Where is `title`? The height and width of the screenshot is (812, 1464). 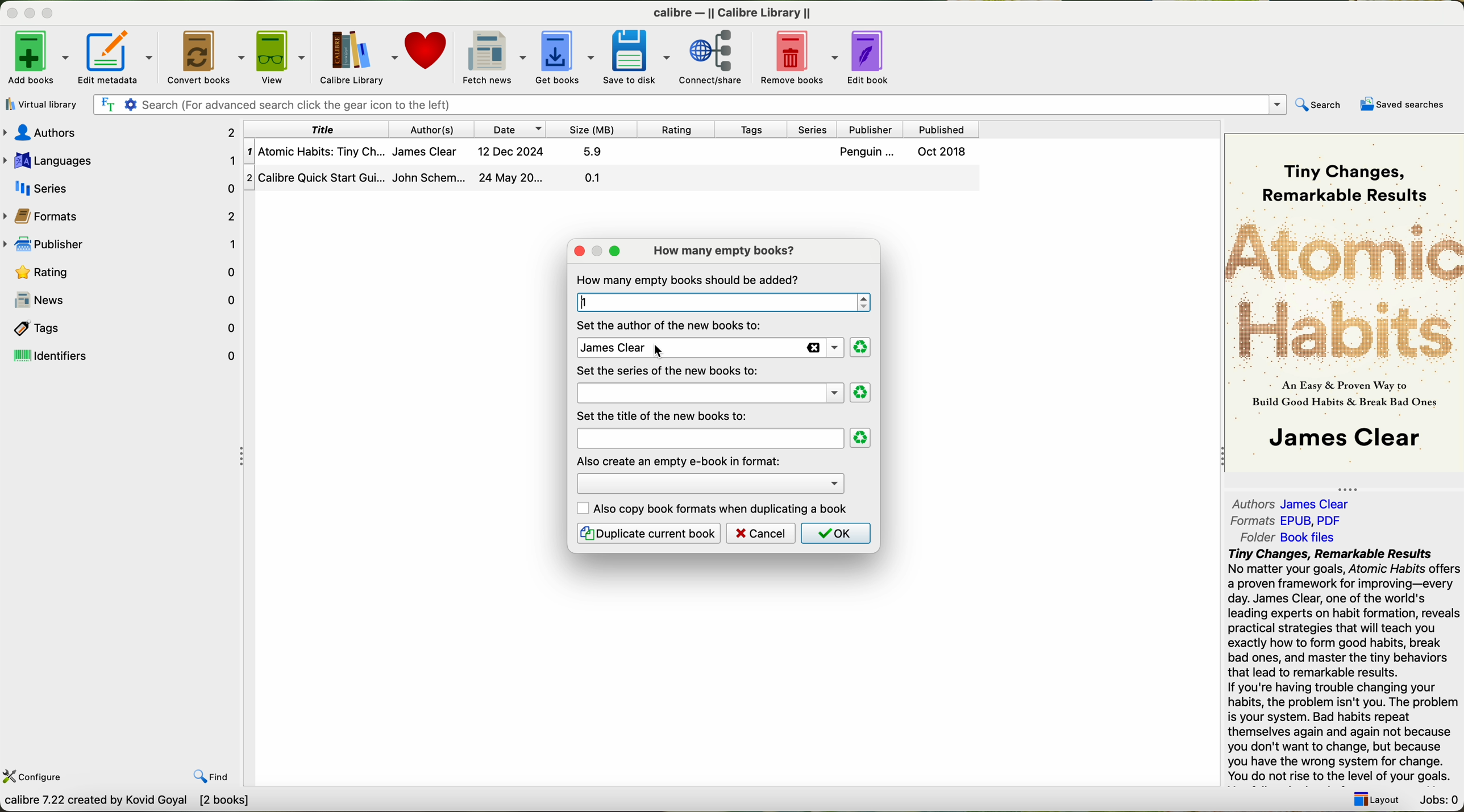 title is located at coordinates (315, 128).